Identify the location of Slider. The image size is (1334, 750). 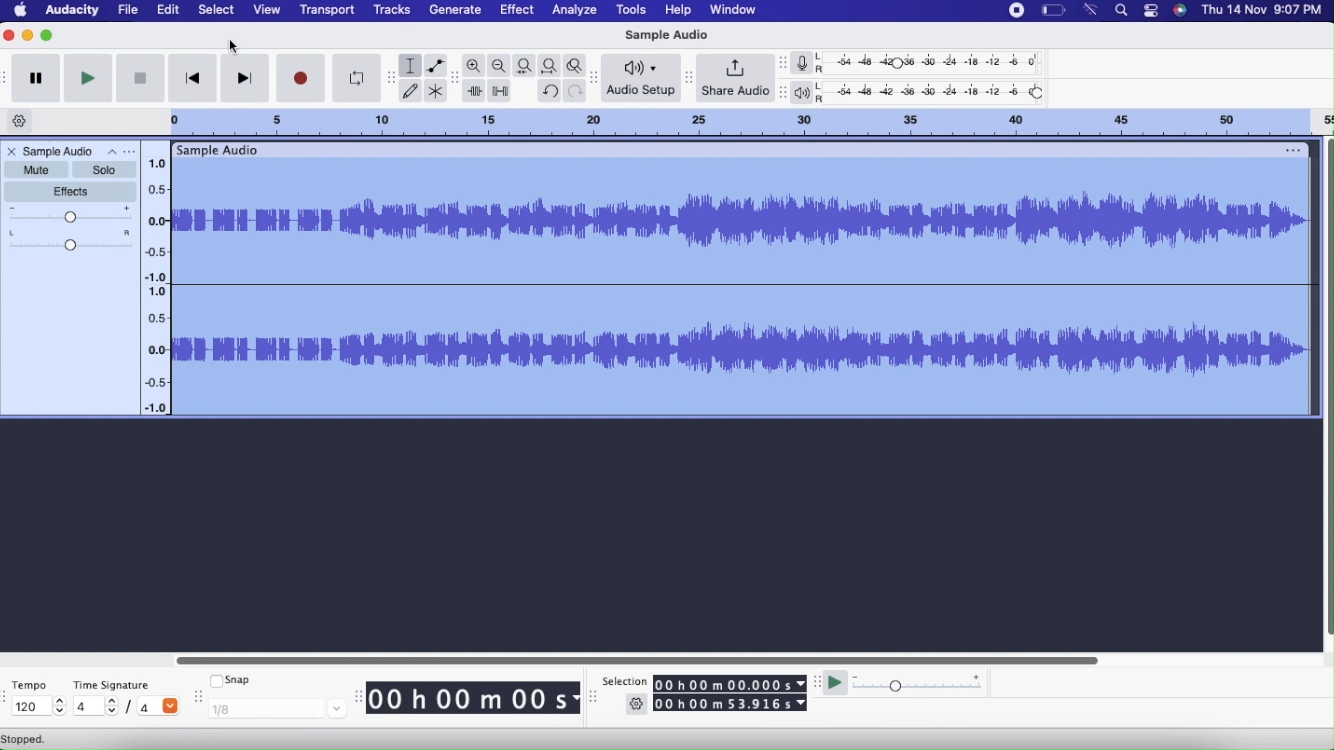
(638, 657).